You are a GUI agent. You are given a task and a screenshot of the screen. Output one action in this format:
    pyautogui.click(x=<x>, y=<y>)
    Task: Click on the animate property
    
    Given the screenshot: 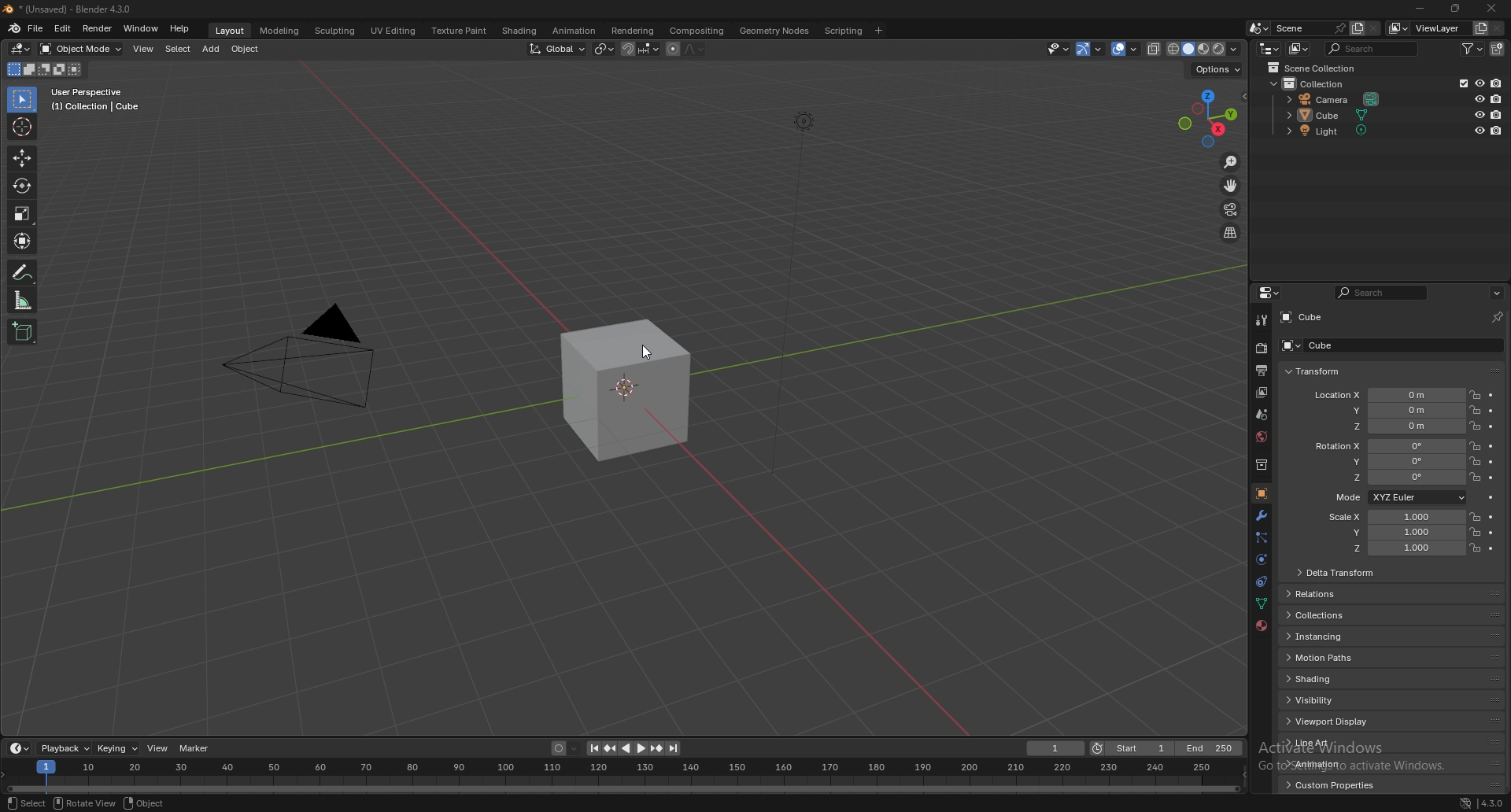 What is the action you would take?
    pyautogui.click(x=1491, y=518)
    